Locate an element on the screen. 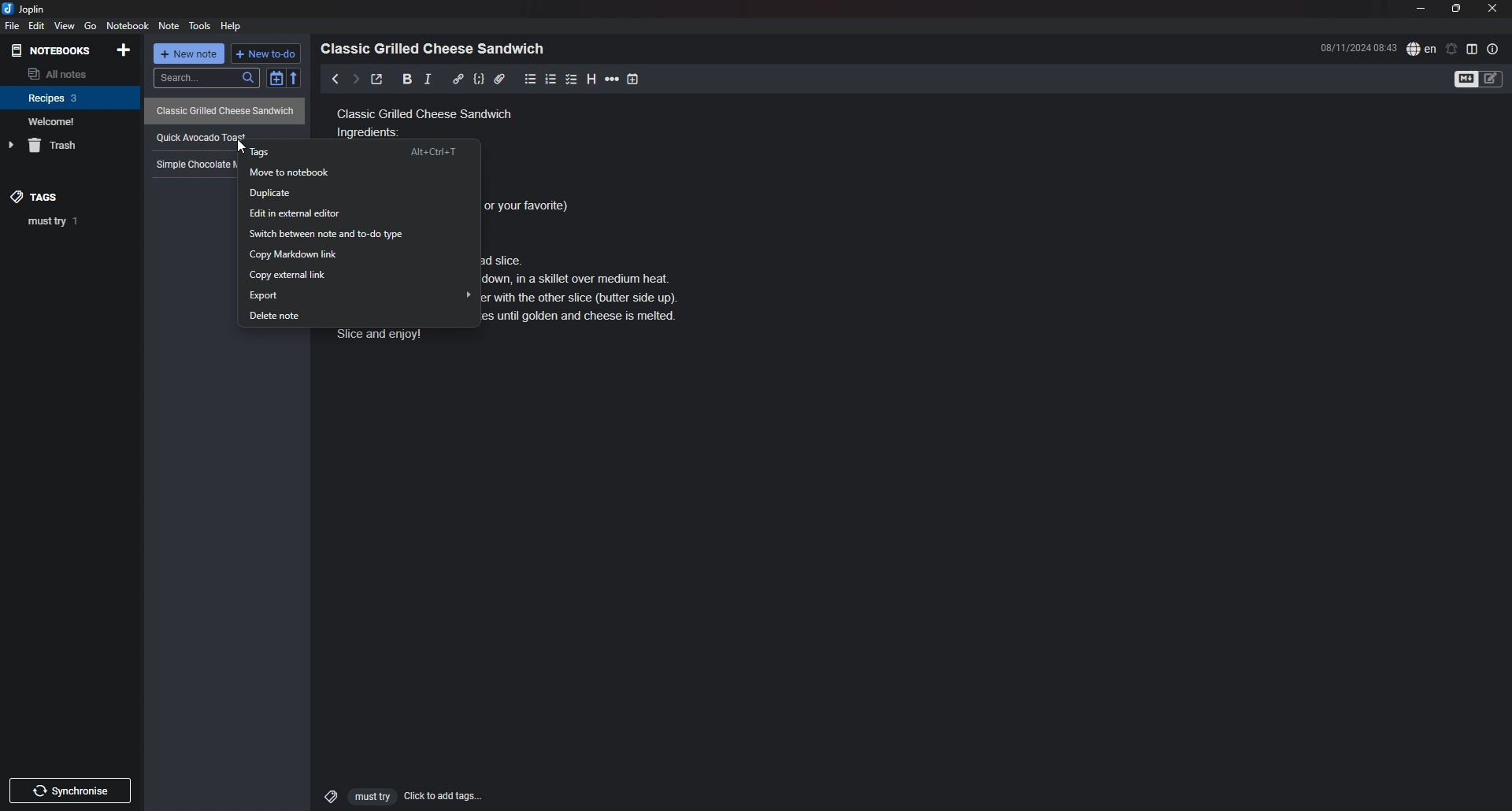 The image size is (1512, 811). heading is located at coordinates (591, 79).